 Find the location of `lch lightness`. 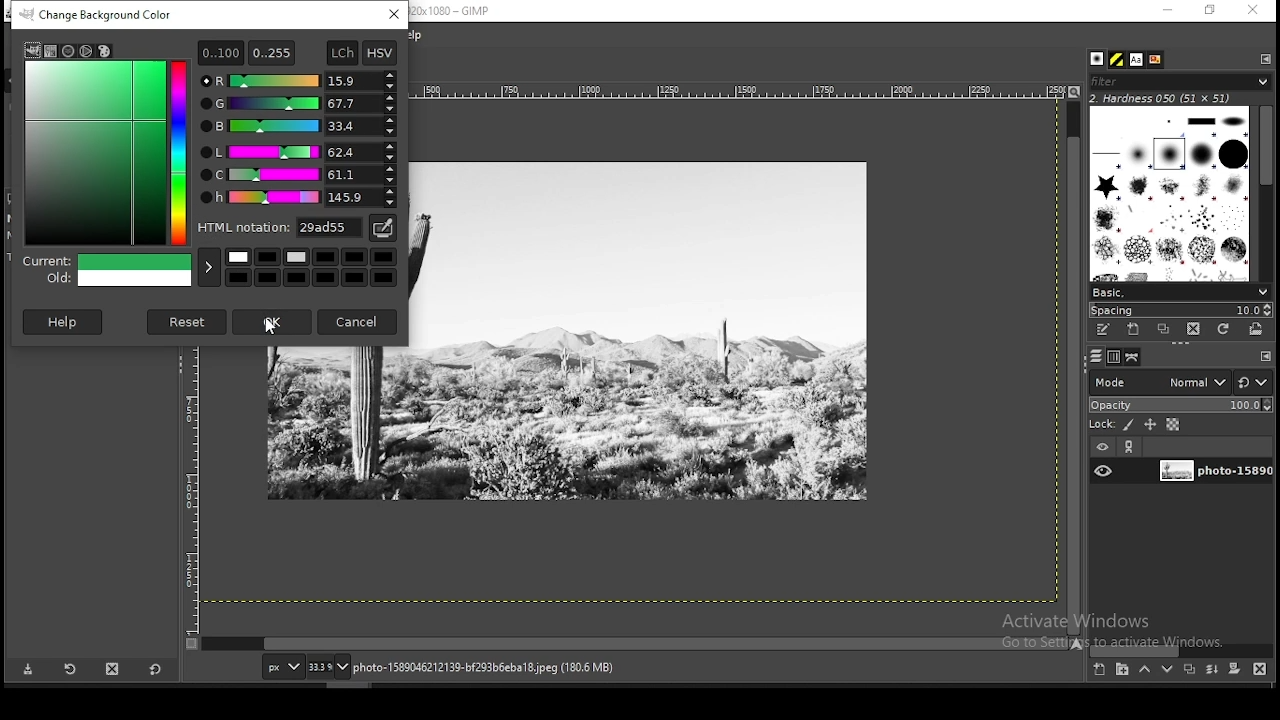

lch lightness is located at coordinates (296, 151).